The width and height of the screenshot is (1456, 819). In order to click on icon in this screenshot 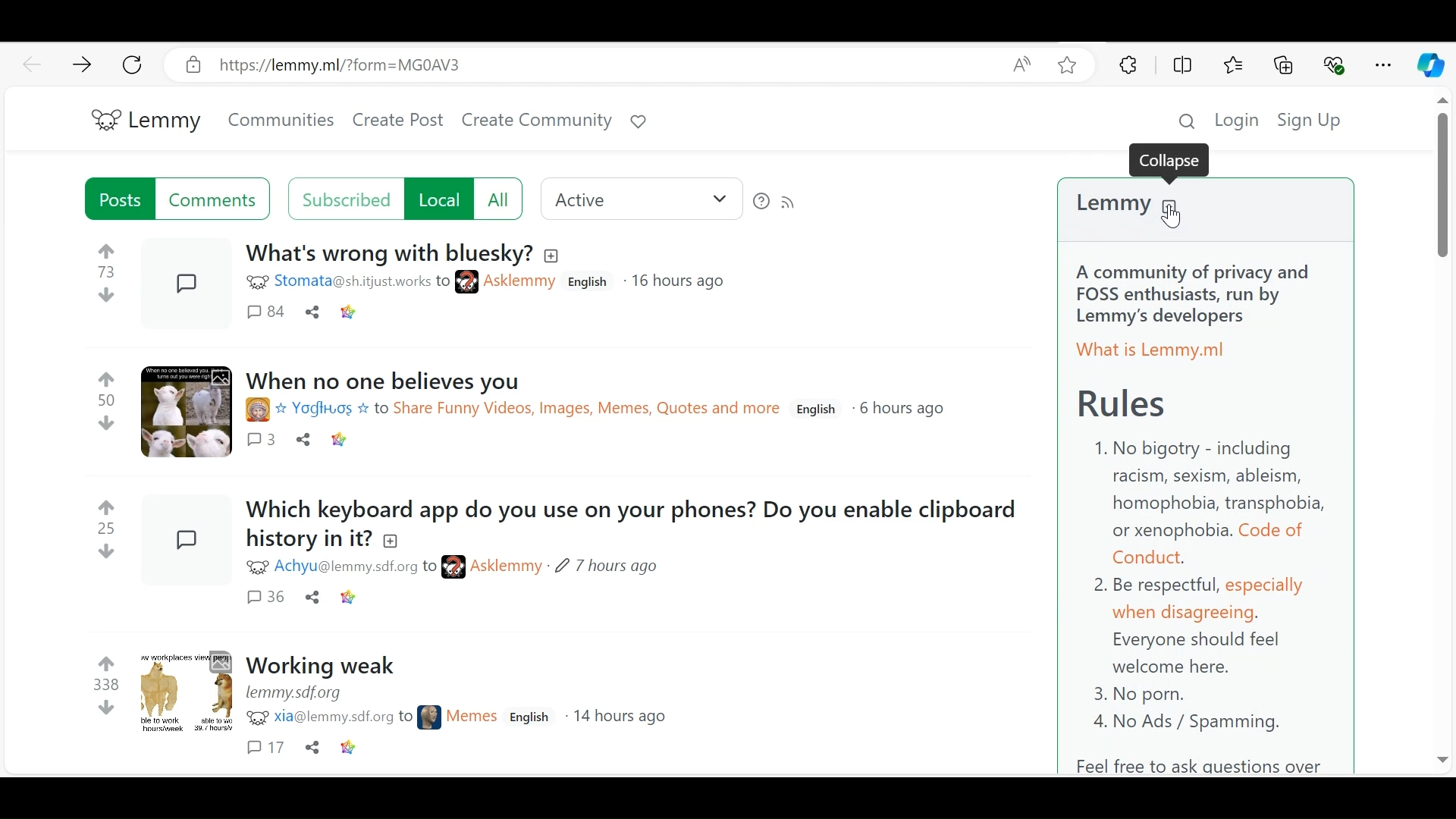, I will do `click(467, 284)`.